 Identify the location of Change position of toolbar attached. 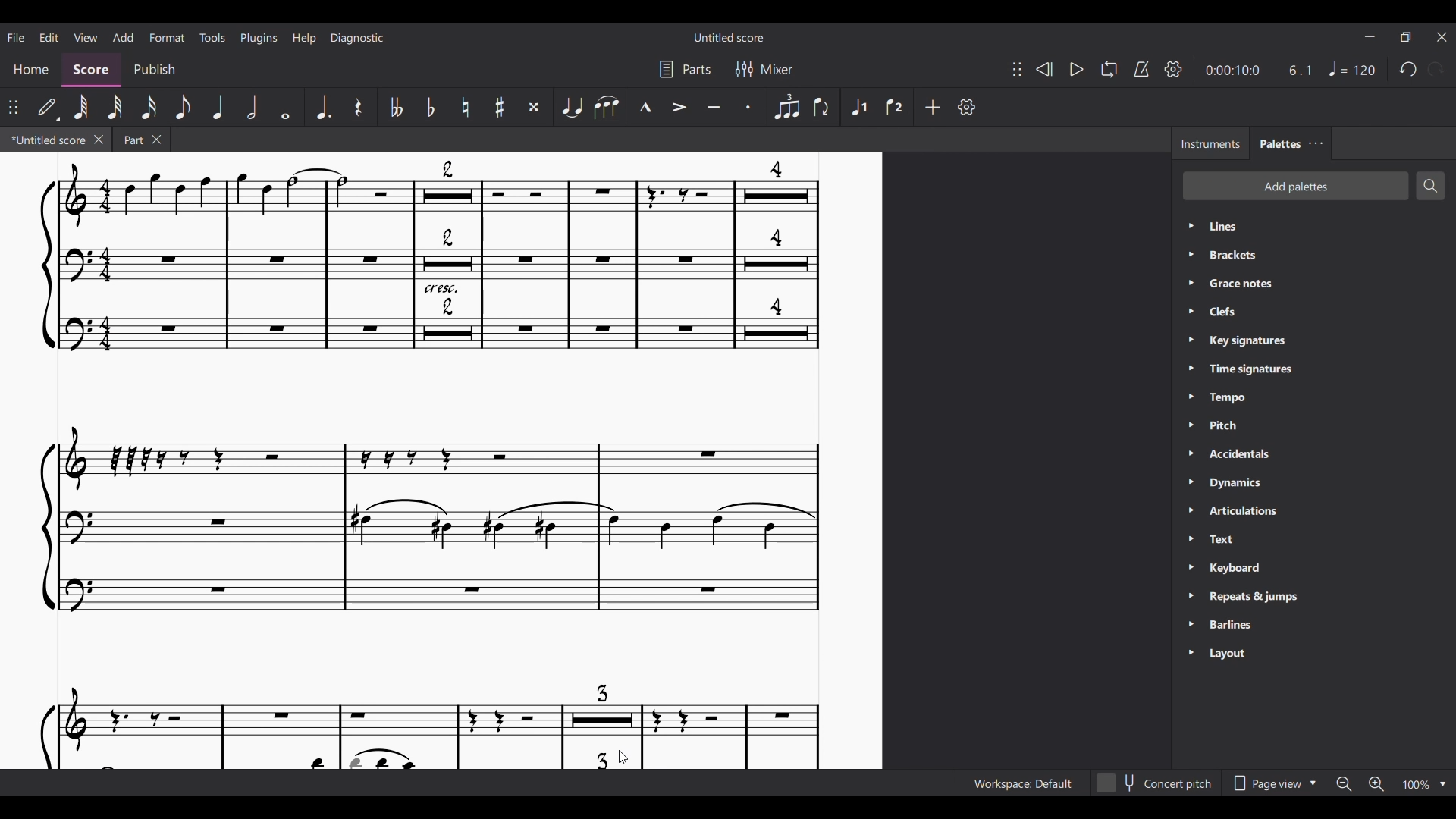
(1017, 69).